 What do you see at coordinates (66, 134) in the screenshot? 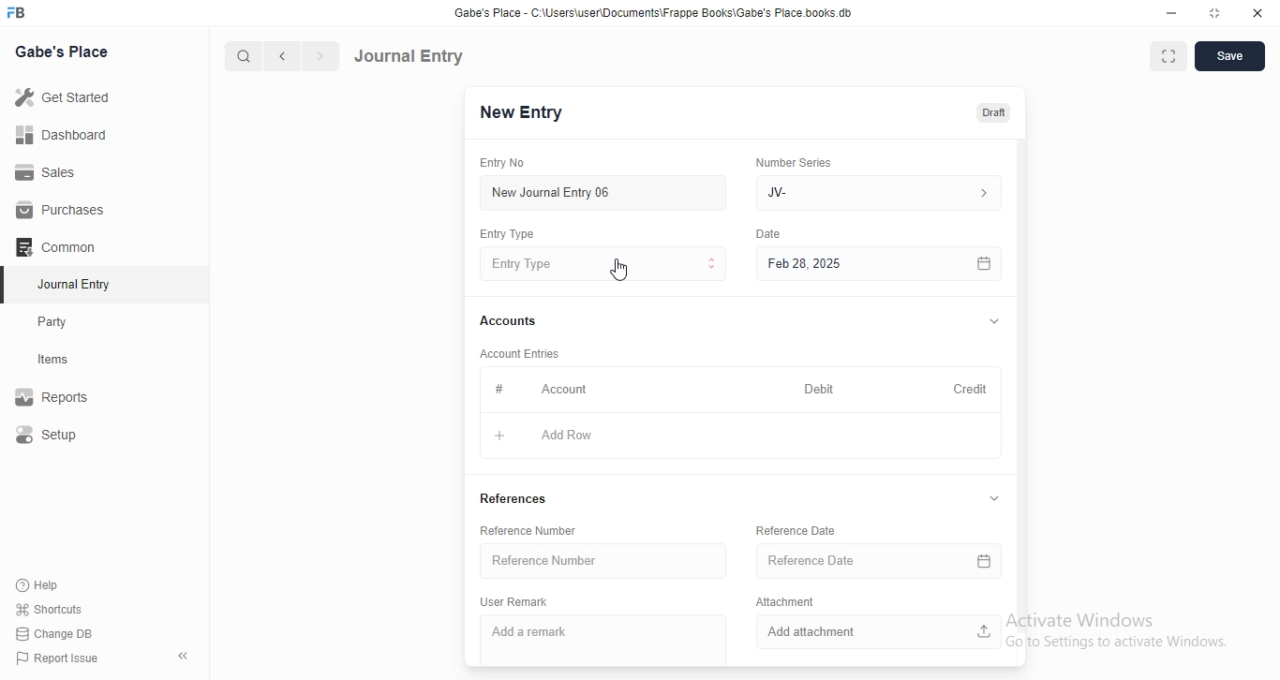
I see `Dashboard` at bounding box center [66, 134].